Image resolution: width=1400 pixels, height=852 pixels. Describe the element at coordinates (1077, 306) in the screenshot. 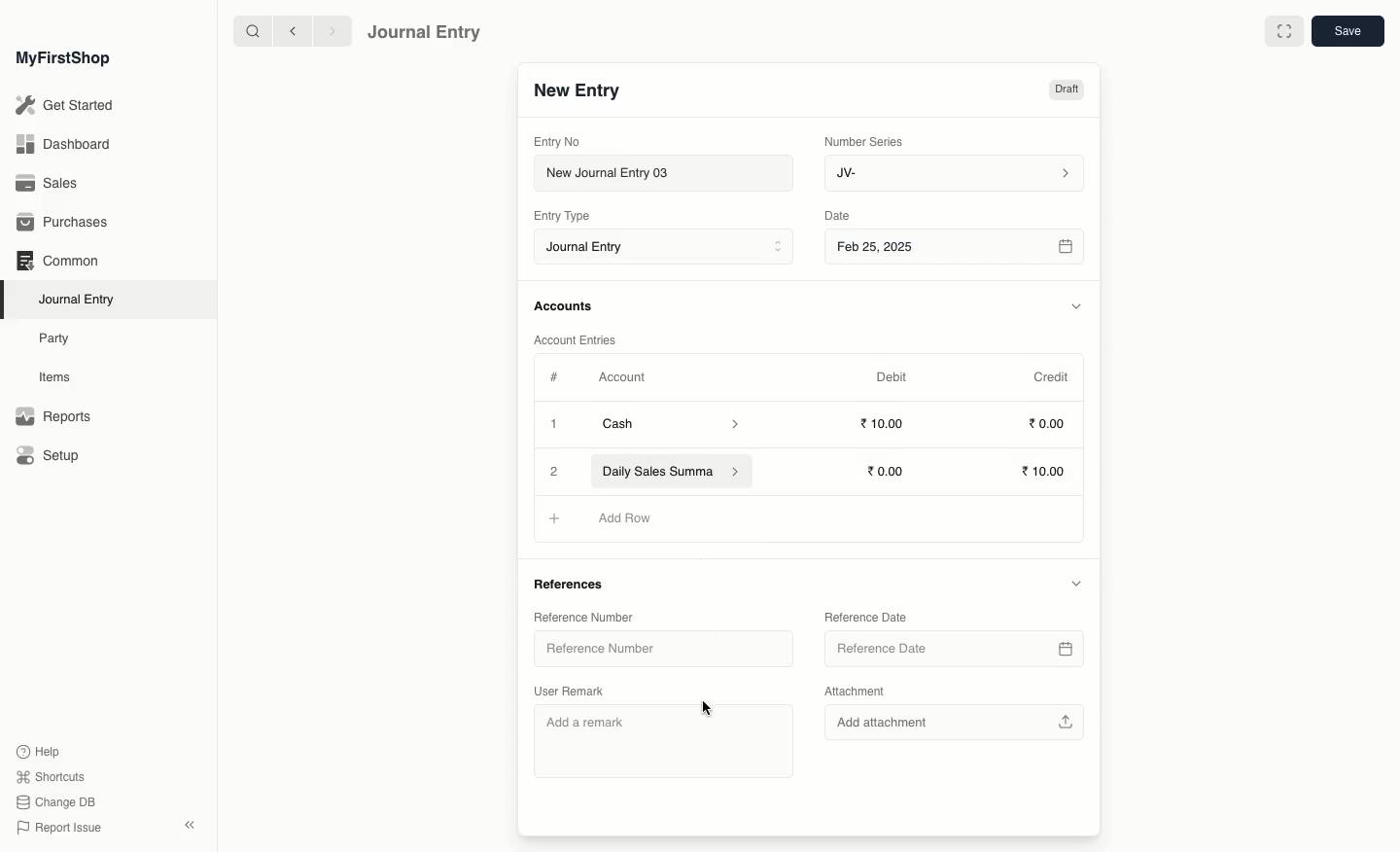

I see `Hide` at that location.